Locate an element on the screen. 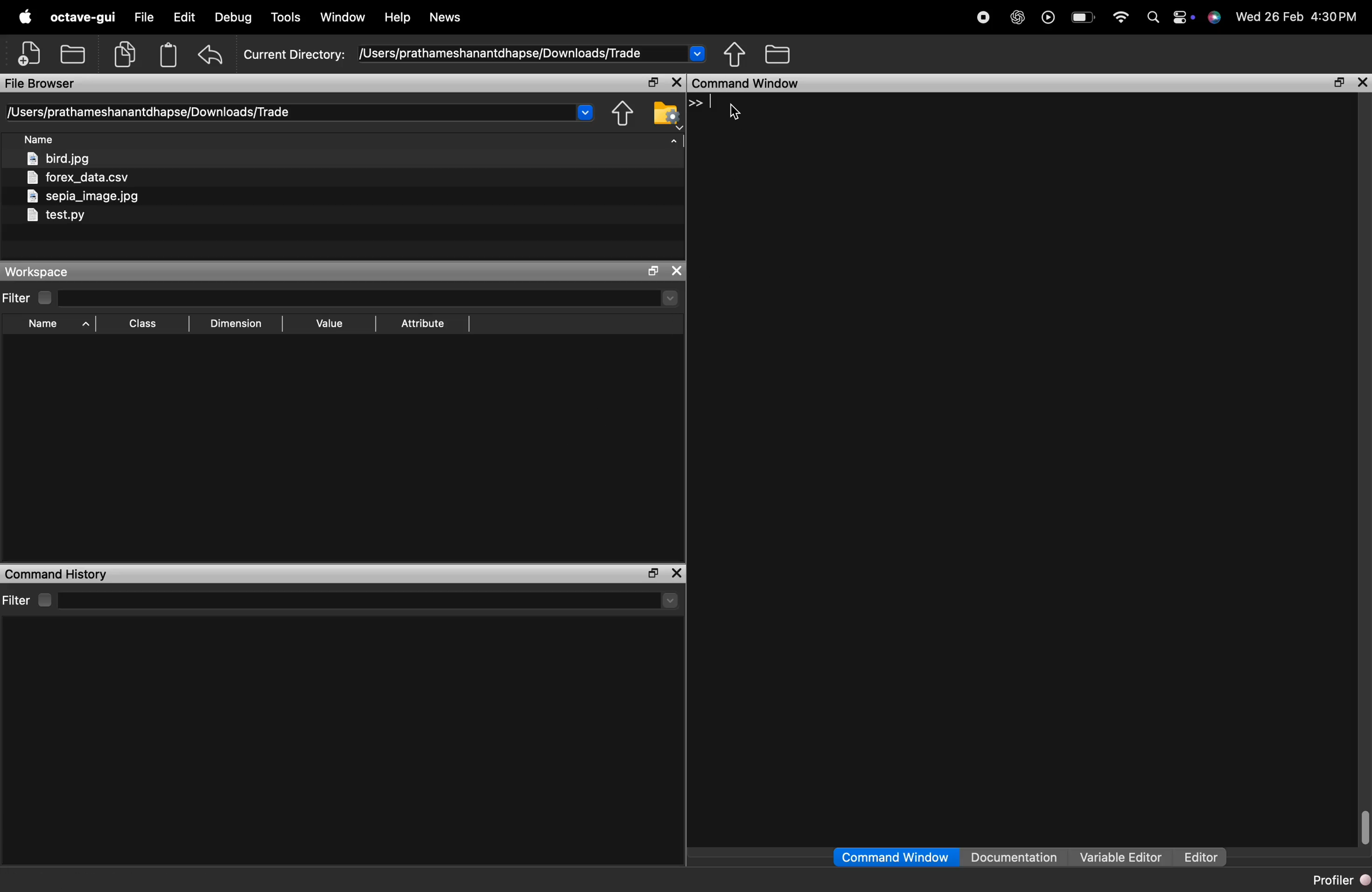 The image size is (1372, 892).  bird.jpg is located at coordinates (59, 157).